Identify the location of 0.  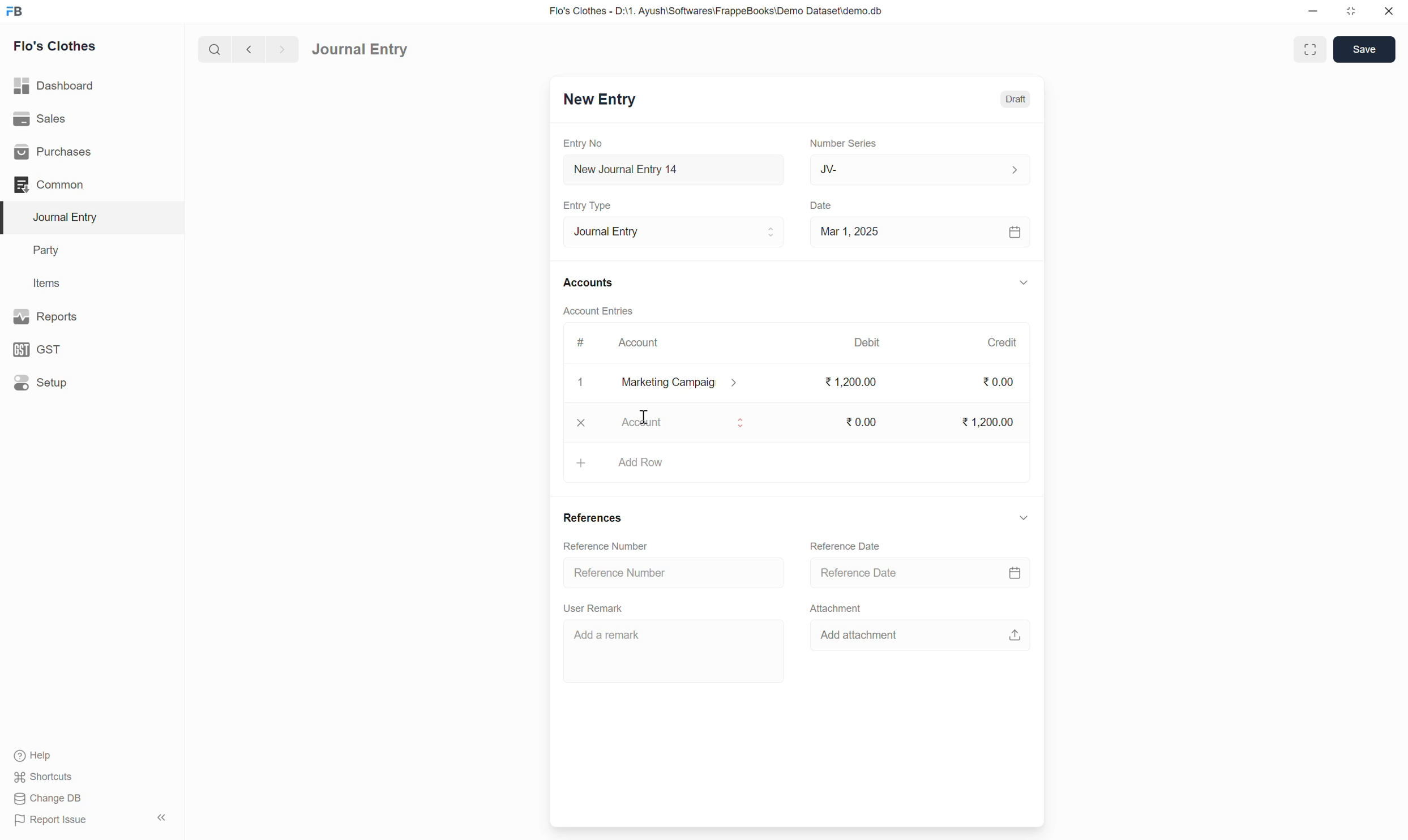
(861, 422).